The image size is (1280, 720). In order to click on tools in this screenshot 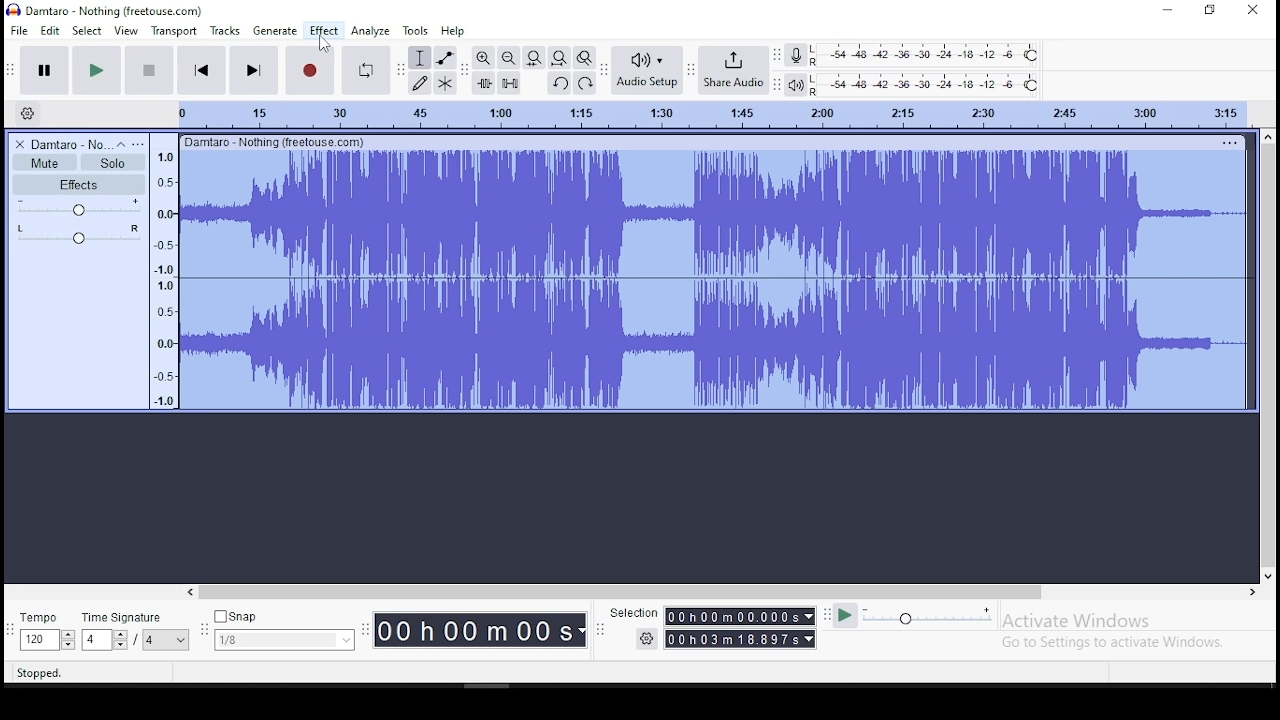, I will do `click(416, 30)`.